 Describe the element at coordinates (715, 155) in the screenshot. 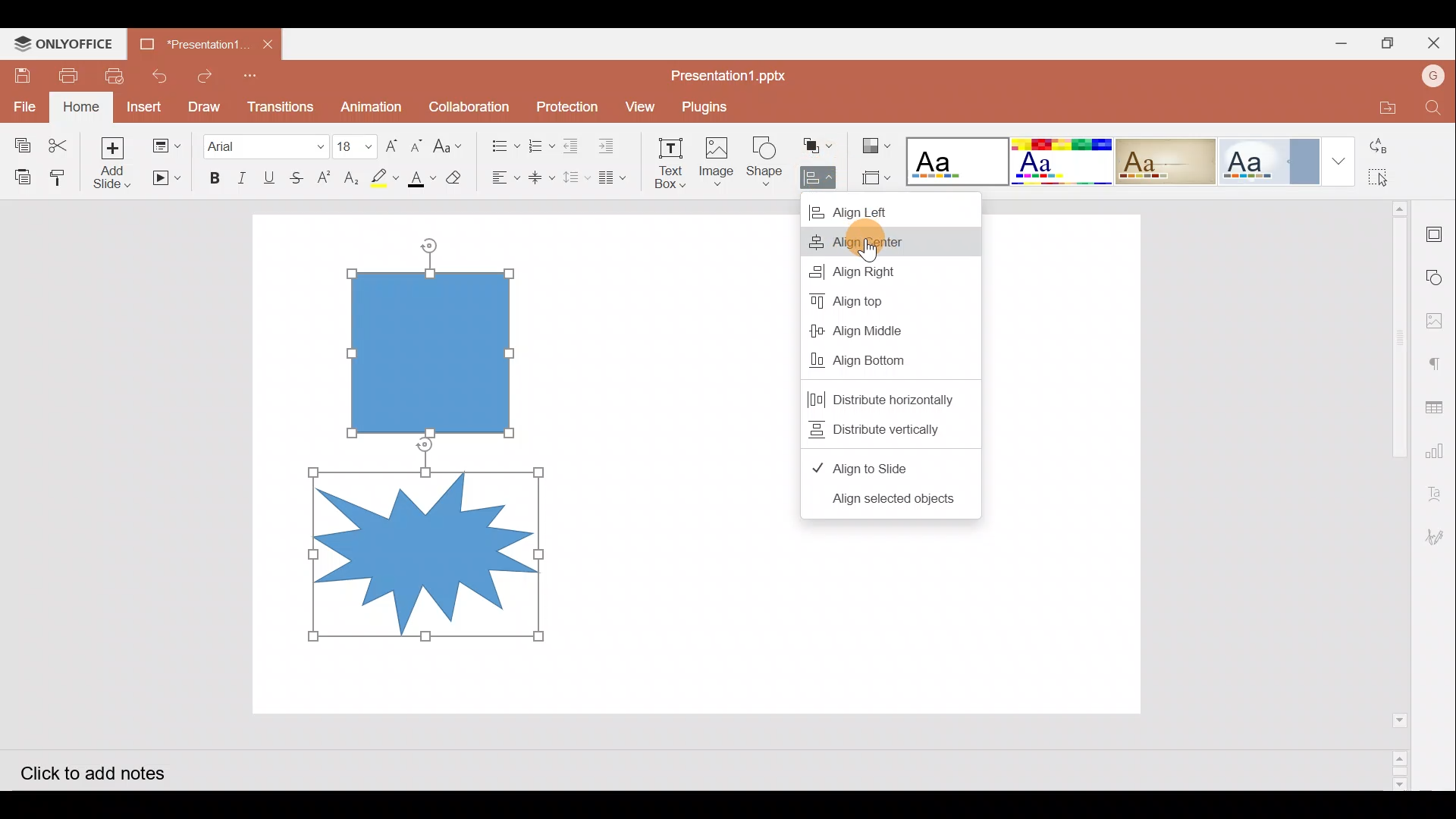

I see `Insert image` at that location.